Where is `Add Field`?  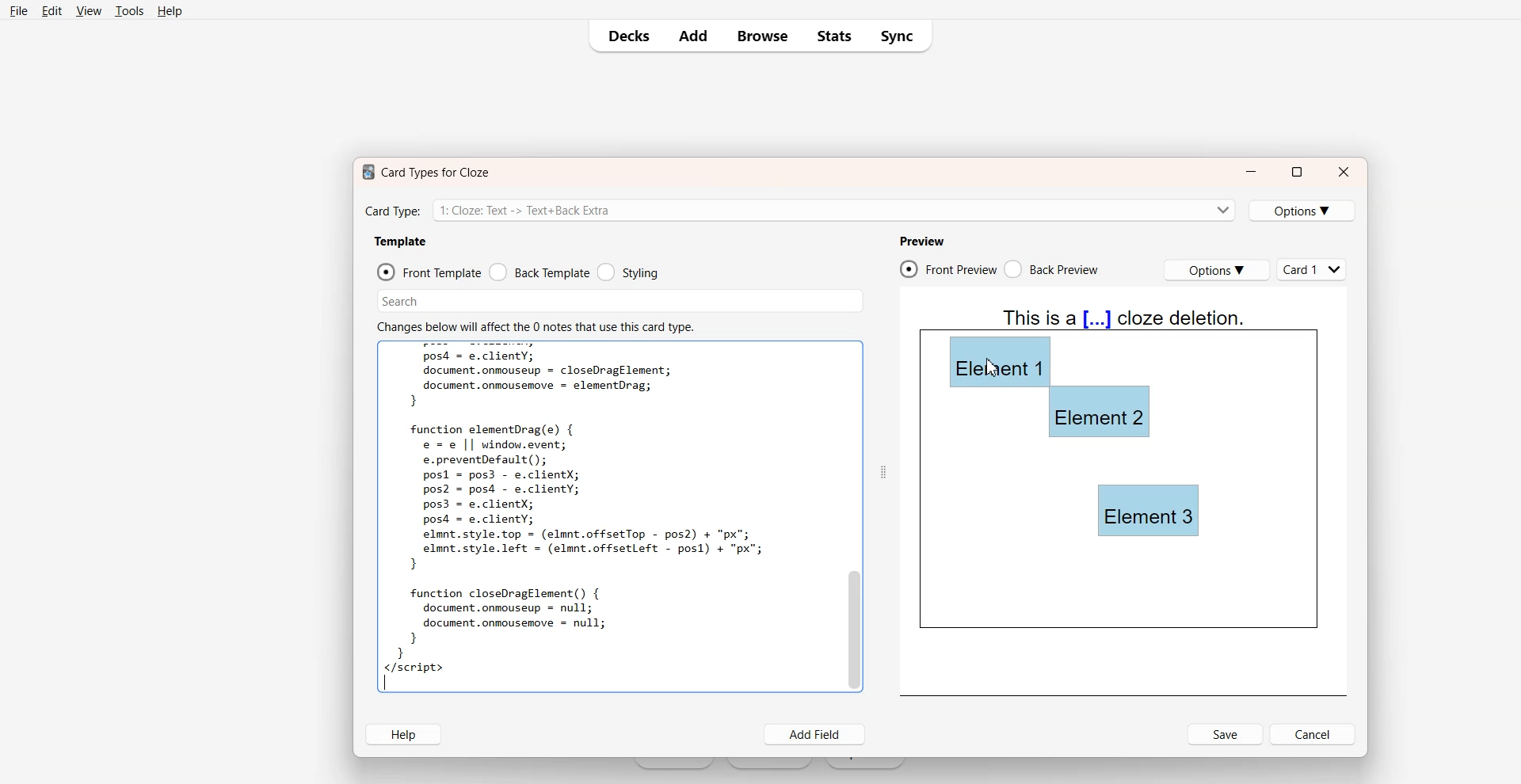
Add Field is located at coordinates (816, 735).